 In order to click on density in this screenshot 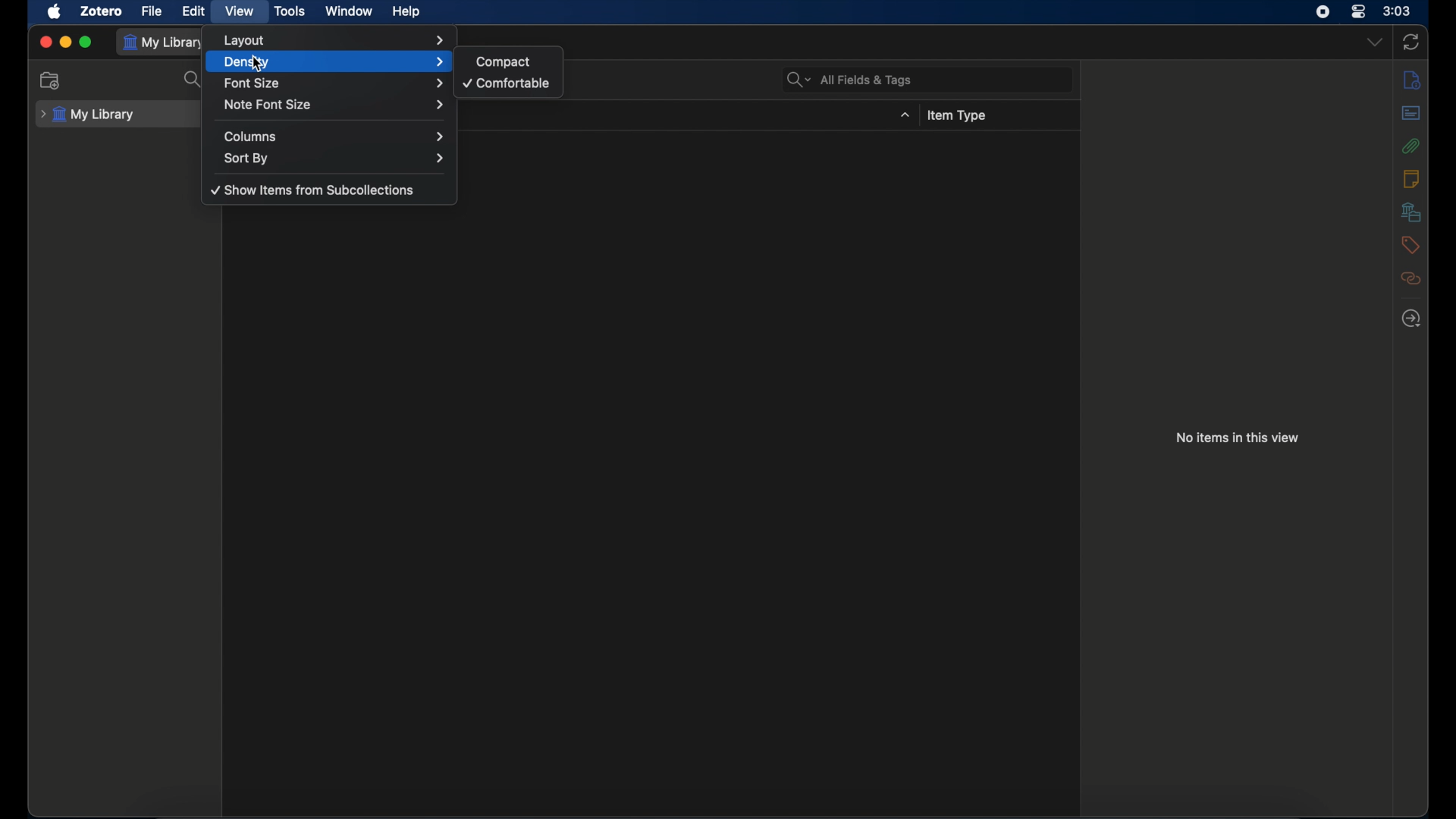, I will do `click(332, 61)`.